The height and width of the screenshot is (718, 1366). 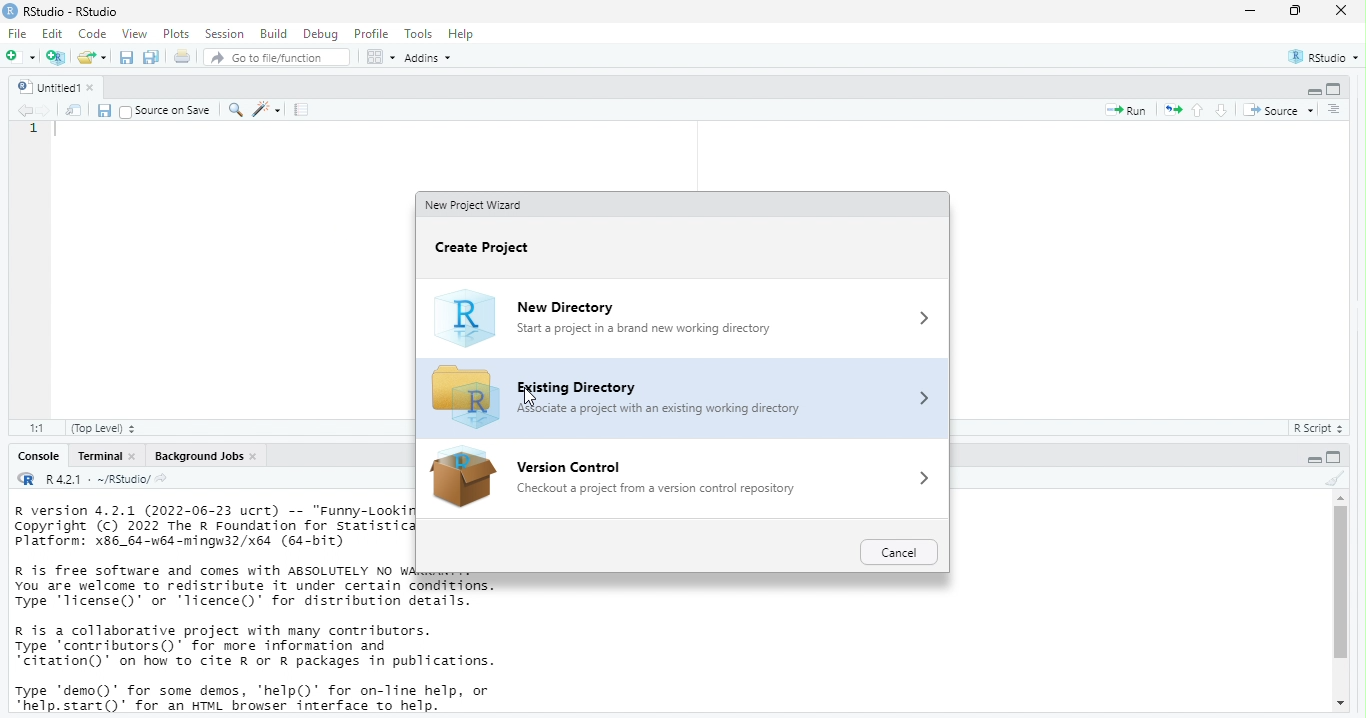 What do you see at coordinates (93, 56) in the screenshot?
I see `open an existing file` at bounding box center [93, 56].